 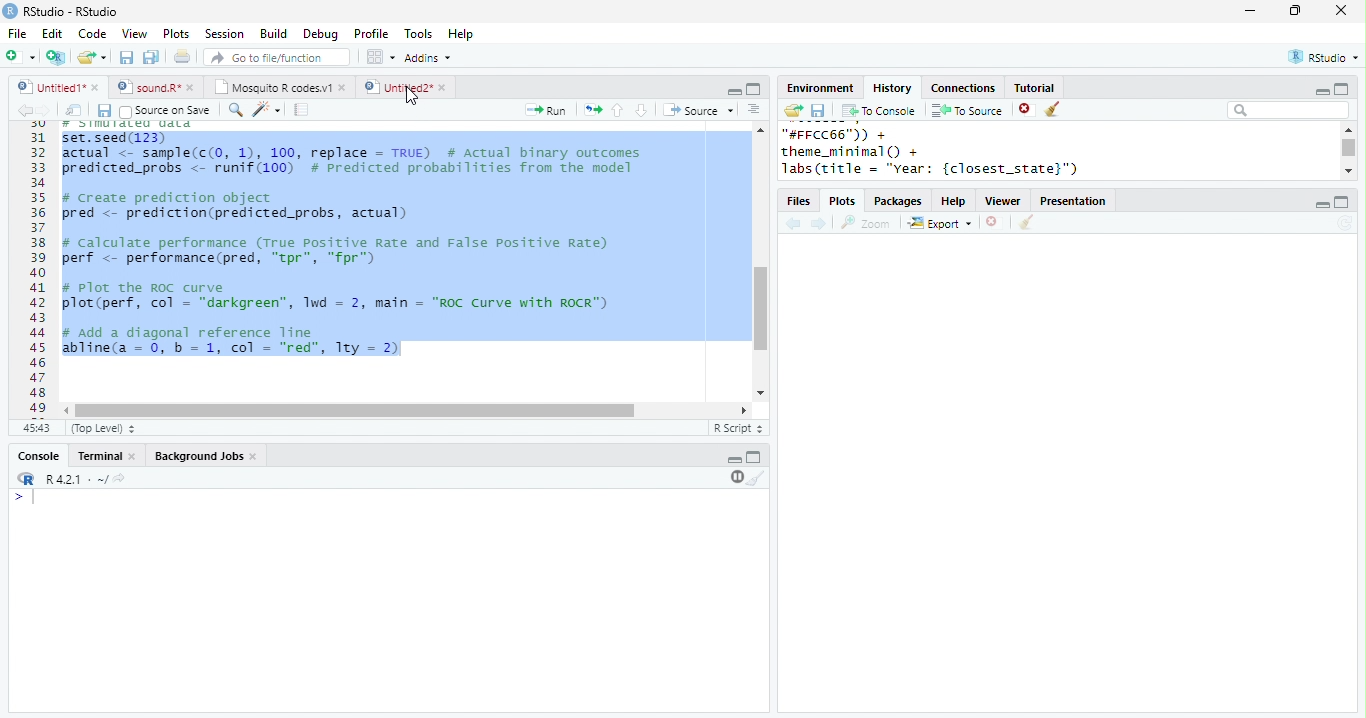 I want to click on R Script, so click(x=739, y=427).